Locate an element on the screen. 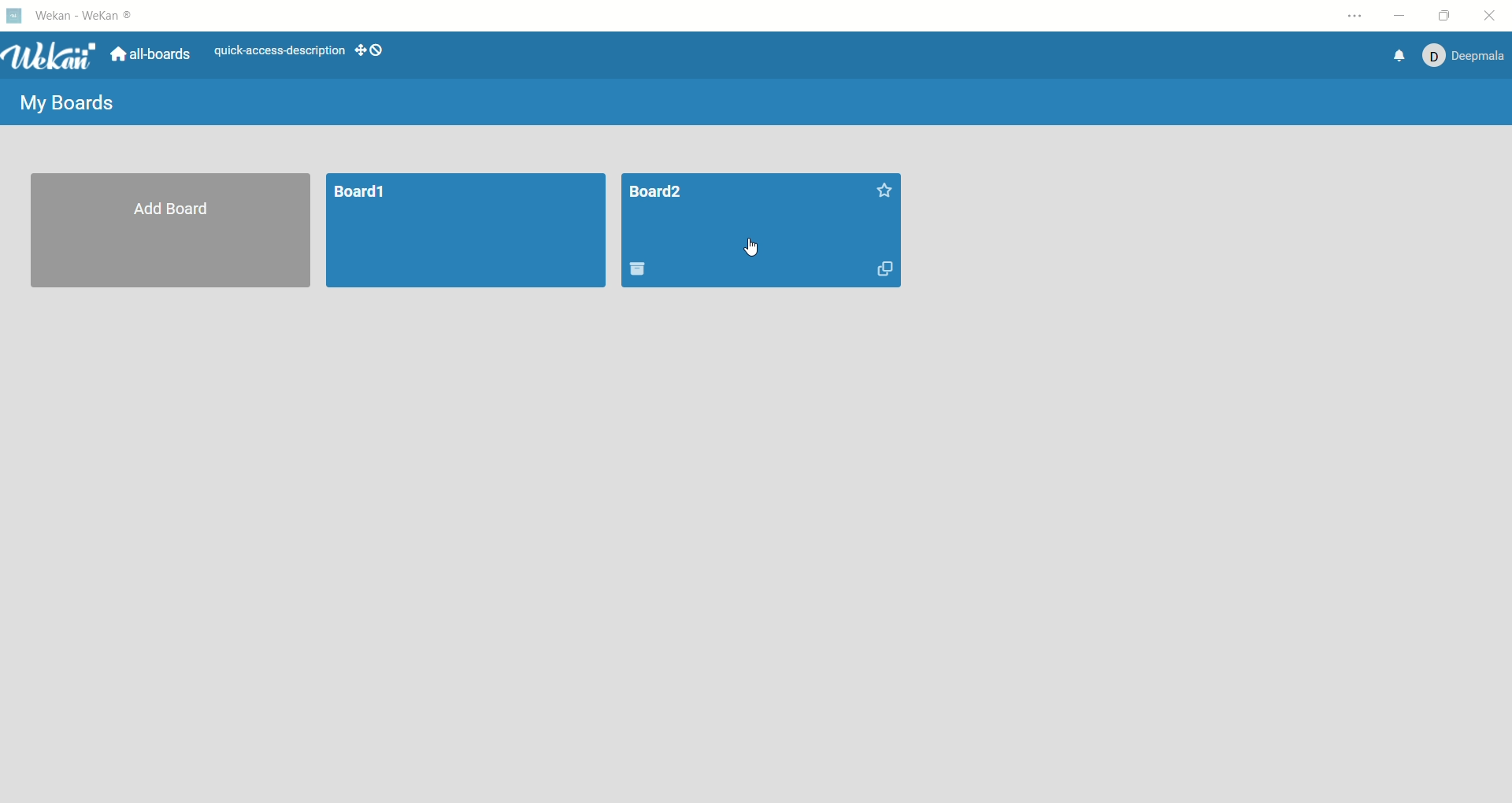 This screenshot has width=1512, height=803. wekan is located at coordinates (54, 56).